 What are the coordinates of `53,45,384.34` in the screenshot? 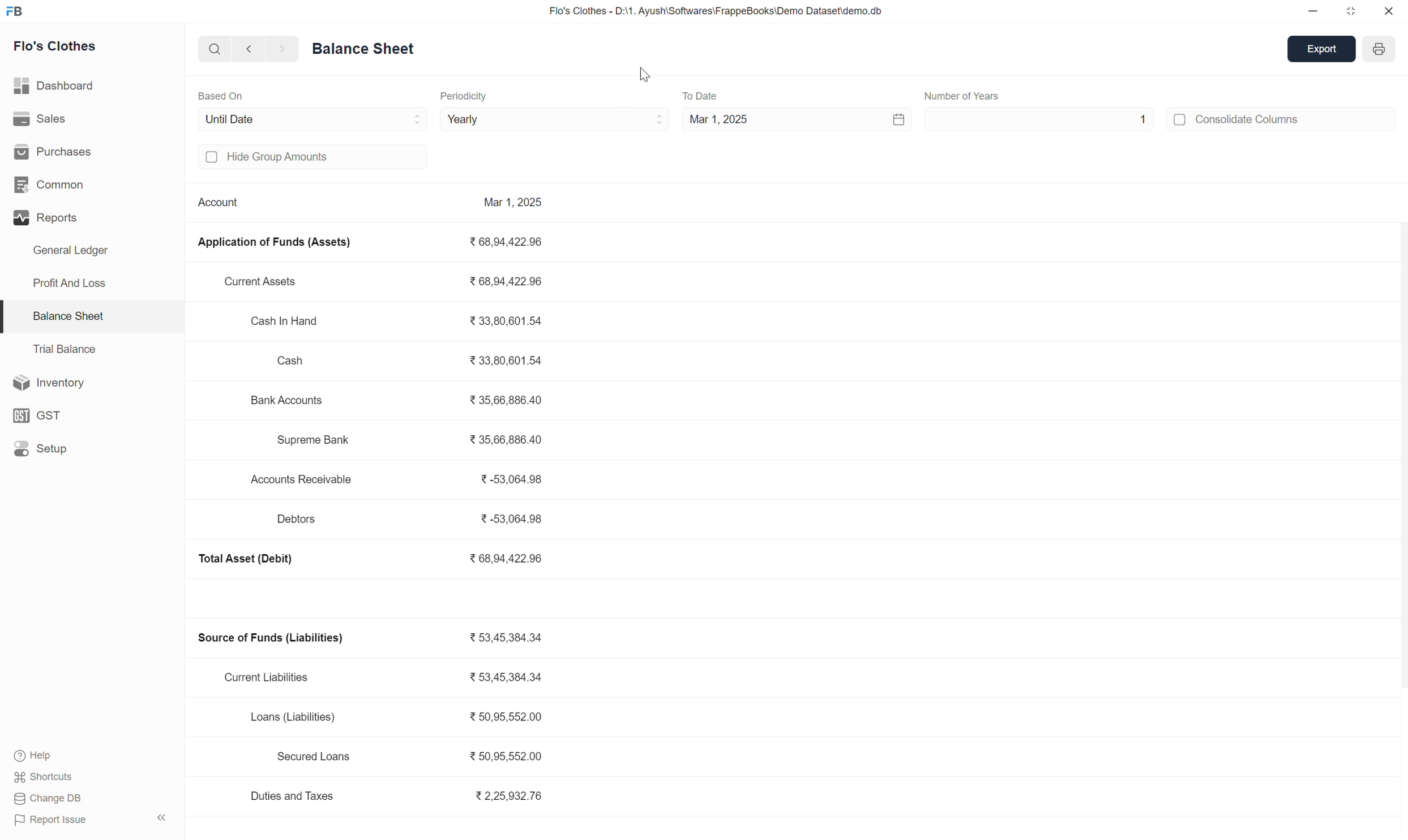 It's located at (511, 678).